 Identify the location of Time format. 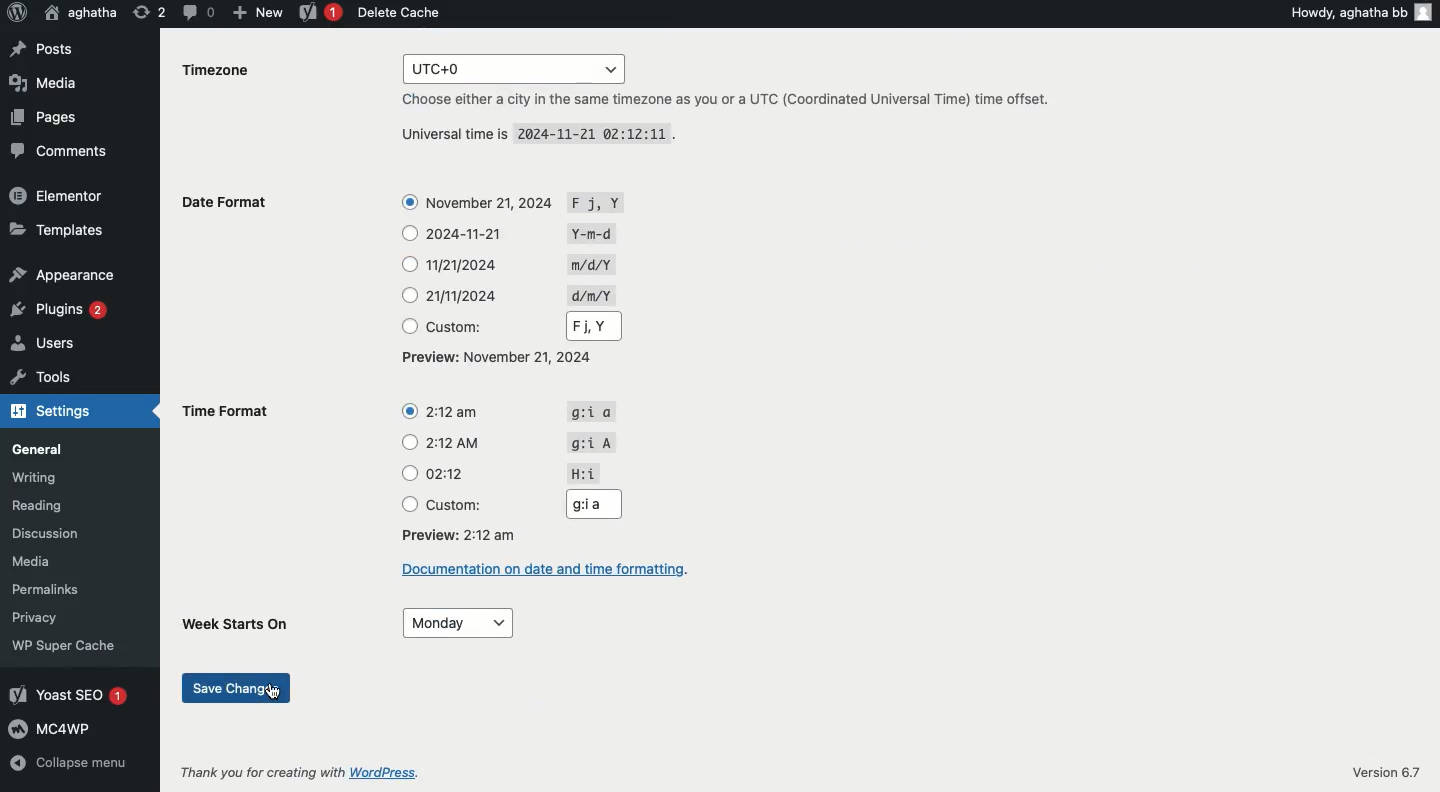
(227, 415).